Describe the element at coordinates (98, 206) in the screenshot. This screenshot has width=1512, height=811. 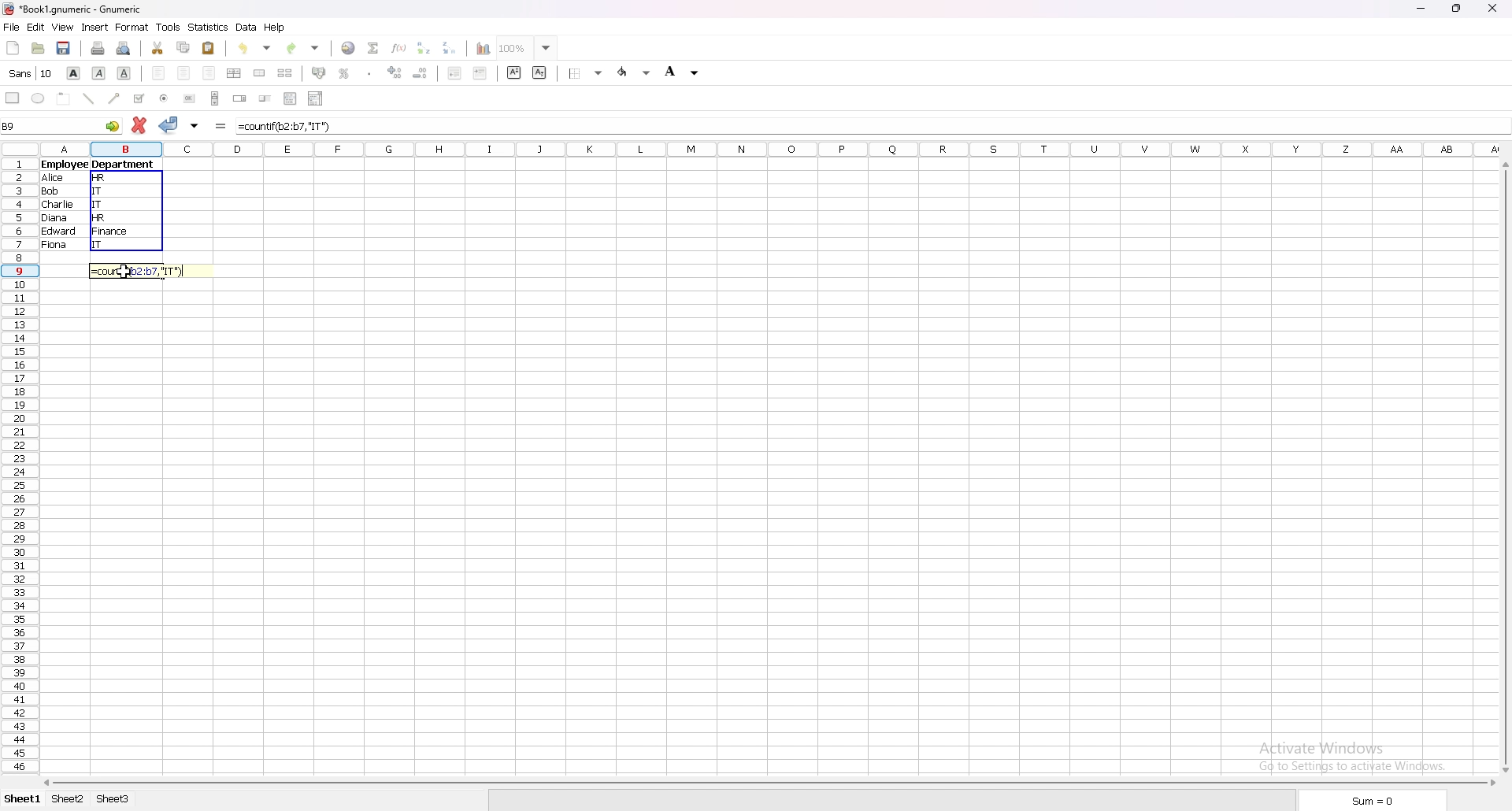
I see `IT` at that location.